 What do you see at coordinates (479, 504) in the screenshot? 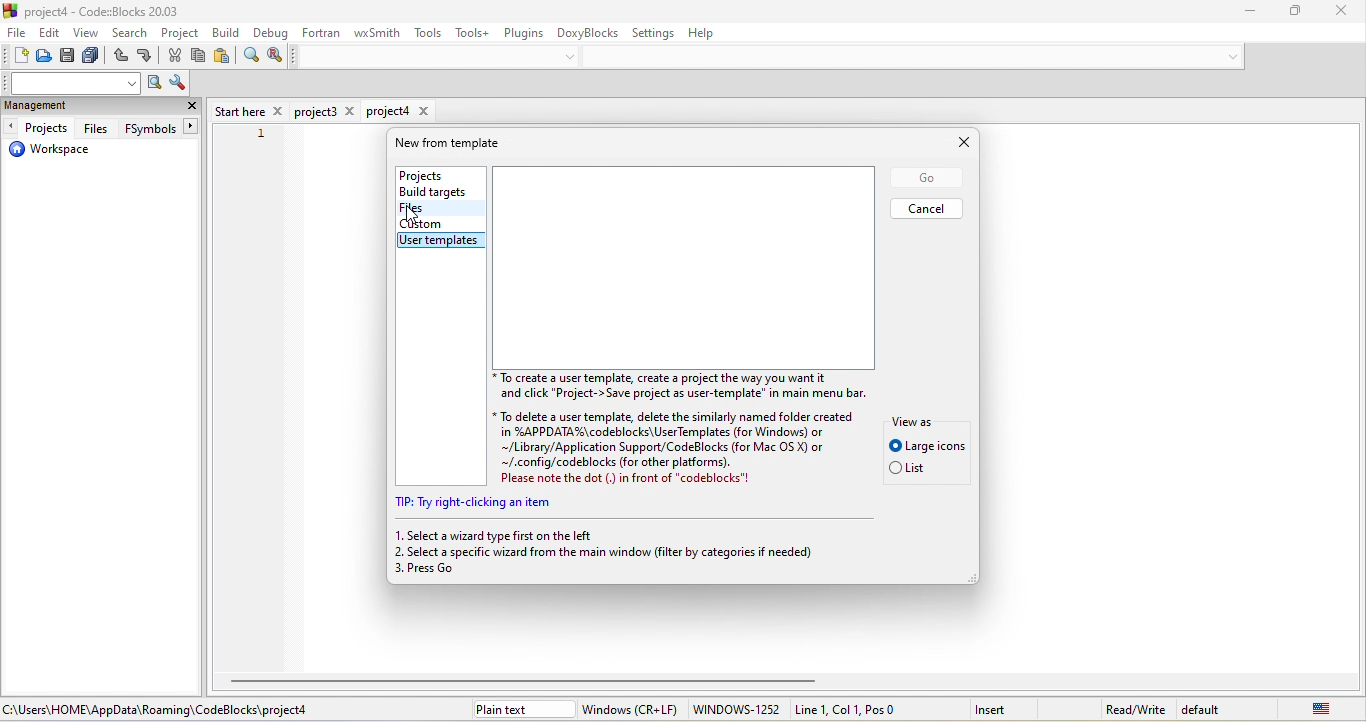
I see `tip try right clicking an item` at bounding box center [479, 504].